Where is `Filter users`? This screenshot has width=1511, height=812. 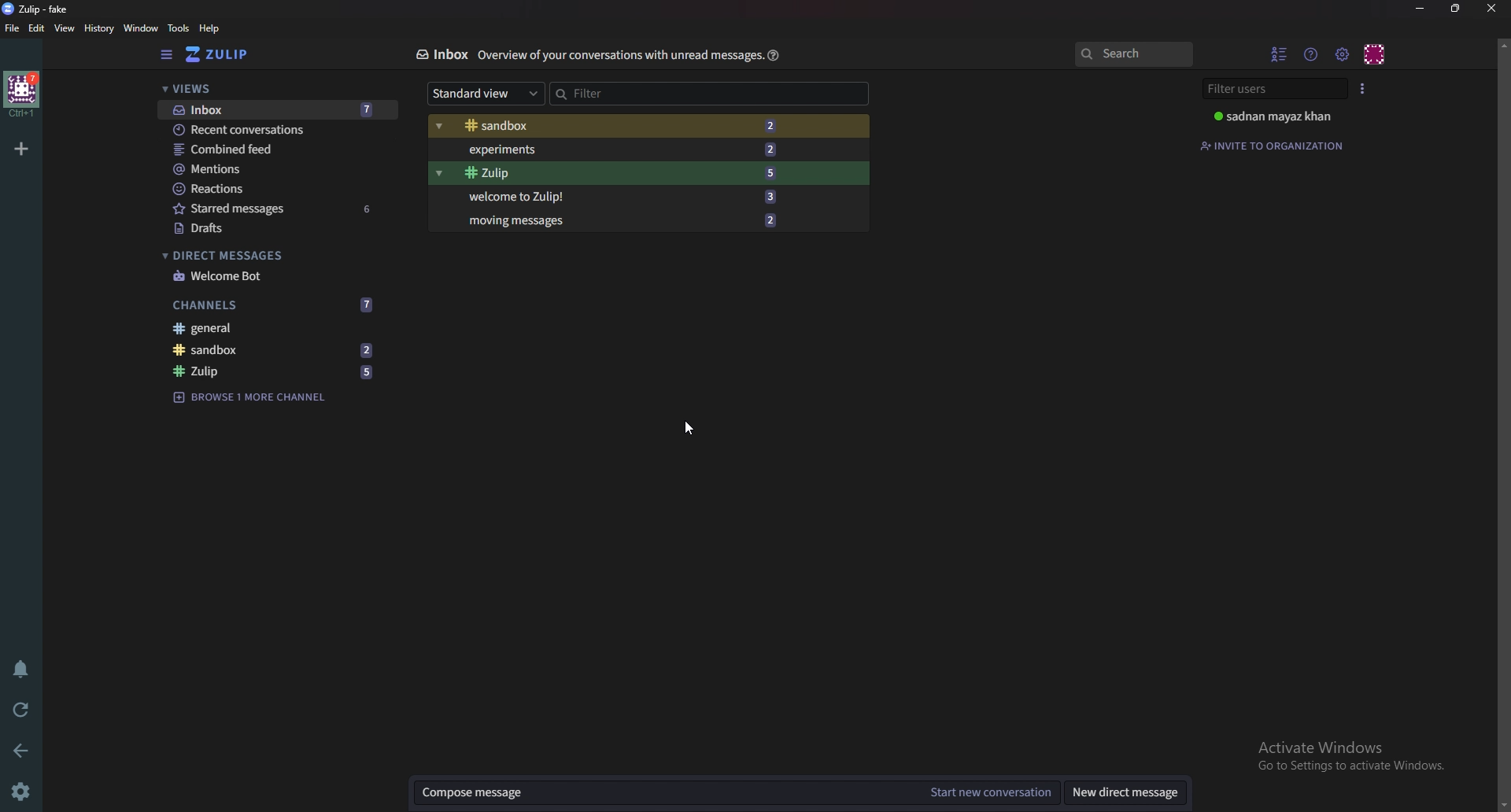
Filter users is located at coordinates (1277, 89).